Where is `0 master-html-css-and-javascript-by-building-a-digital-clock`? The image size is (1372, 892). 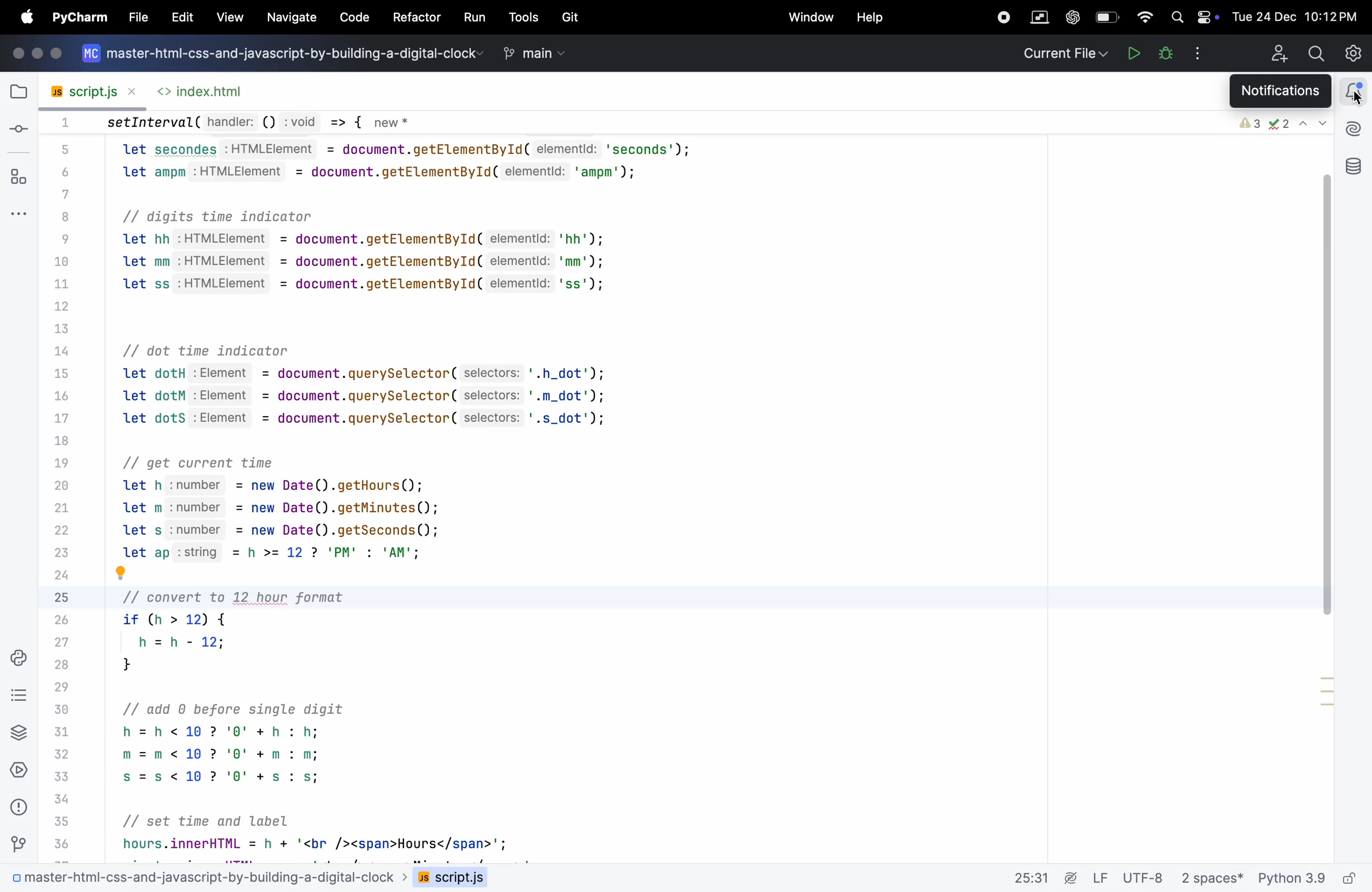
0 master-html-css-and-javascript-by-building-a-digital-clock is located at coordinates (209, 875).